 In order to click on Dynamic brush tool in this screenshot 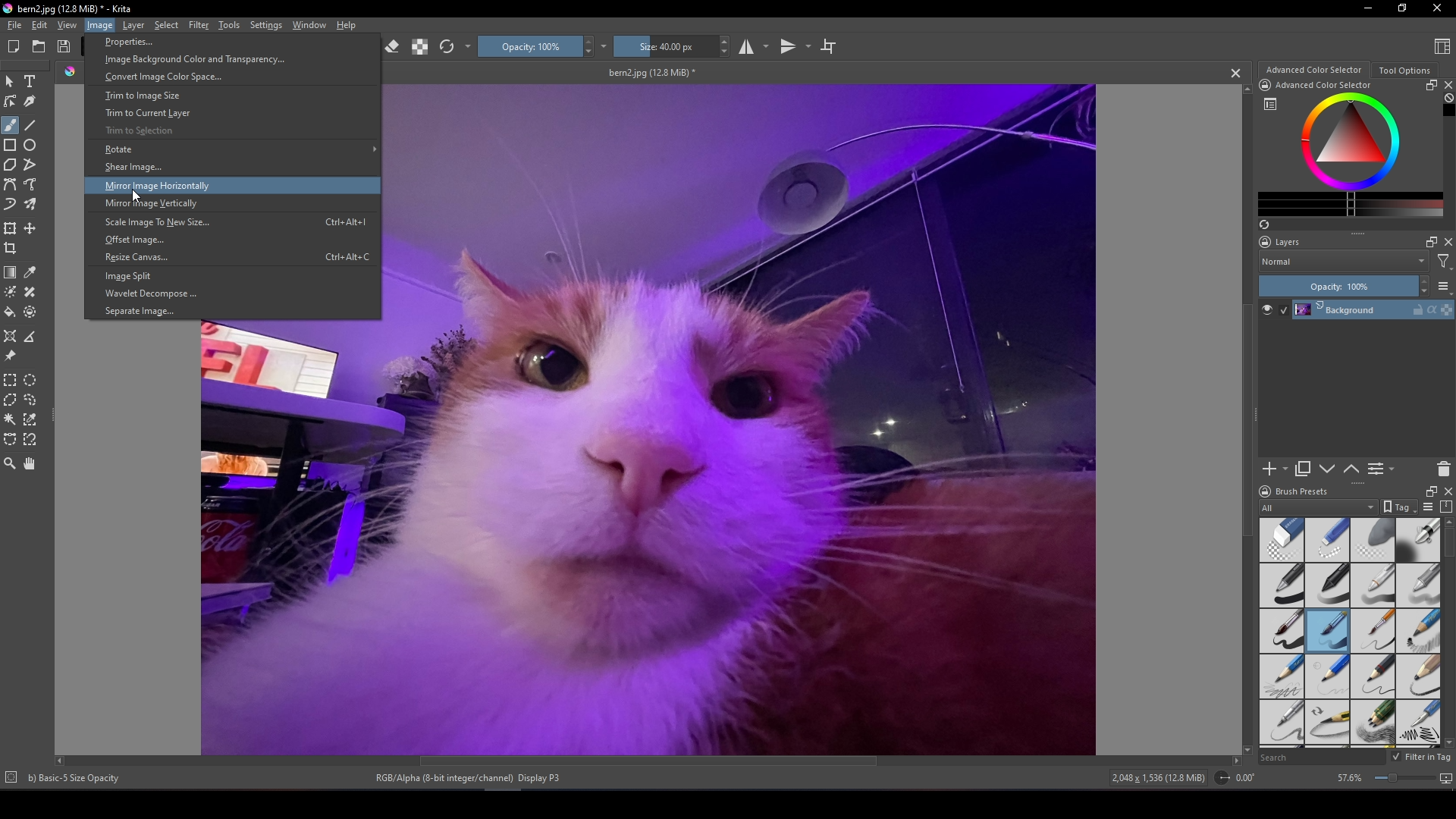, I will do `click(11, 203)`.